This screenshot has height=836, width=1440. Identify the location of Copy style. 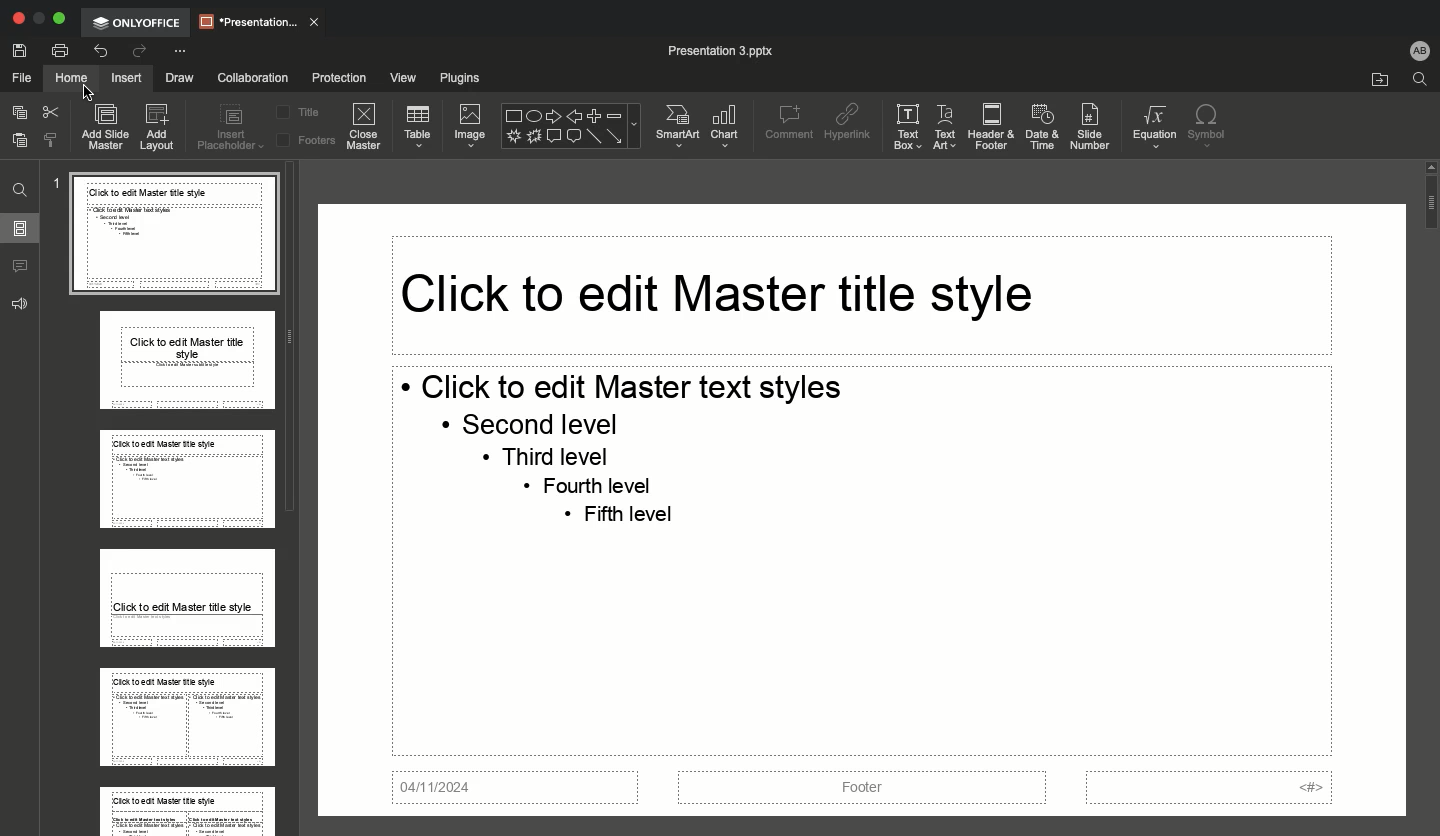
(50, 142).